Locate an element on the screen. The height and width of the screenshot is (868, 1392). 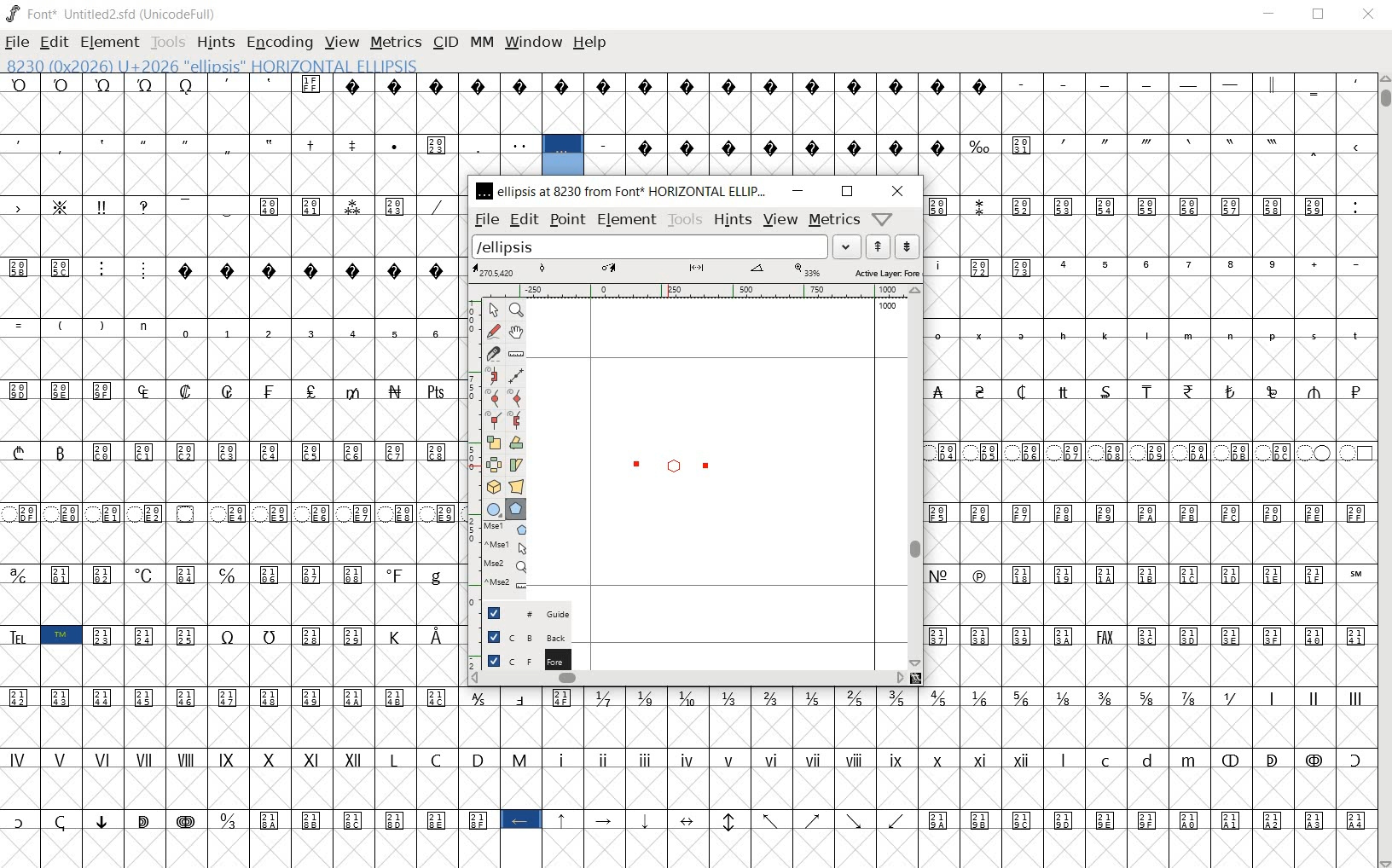
MINIMIZE is located at coordinates (1267, 14).